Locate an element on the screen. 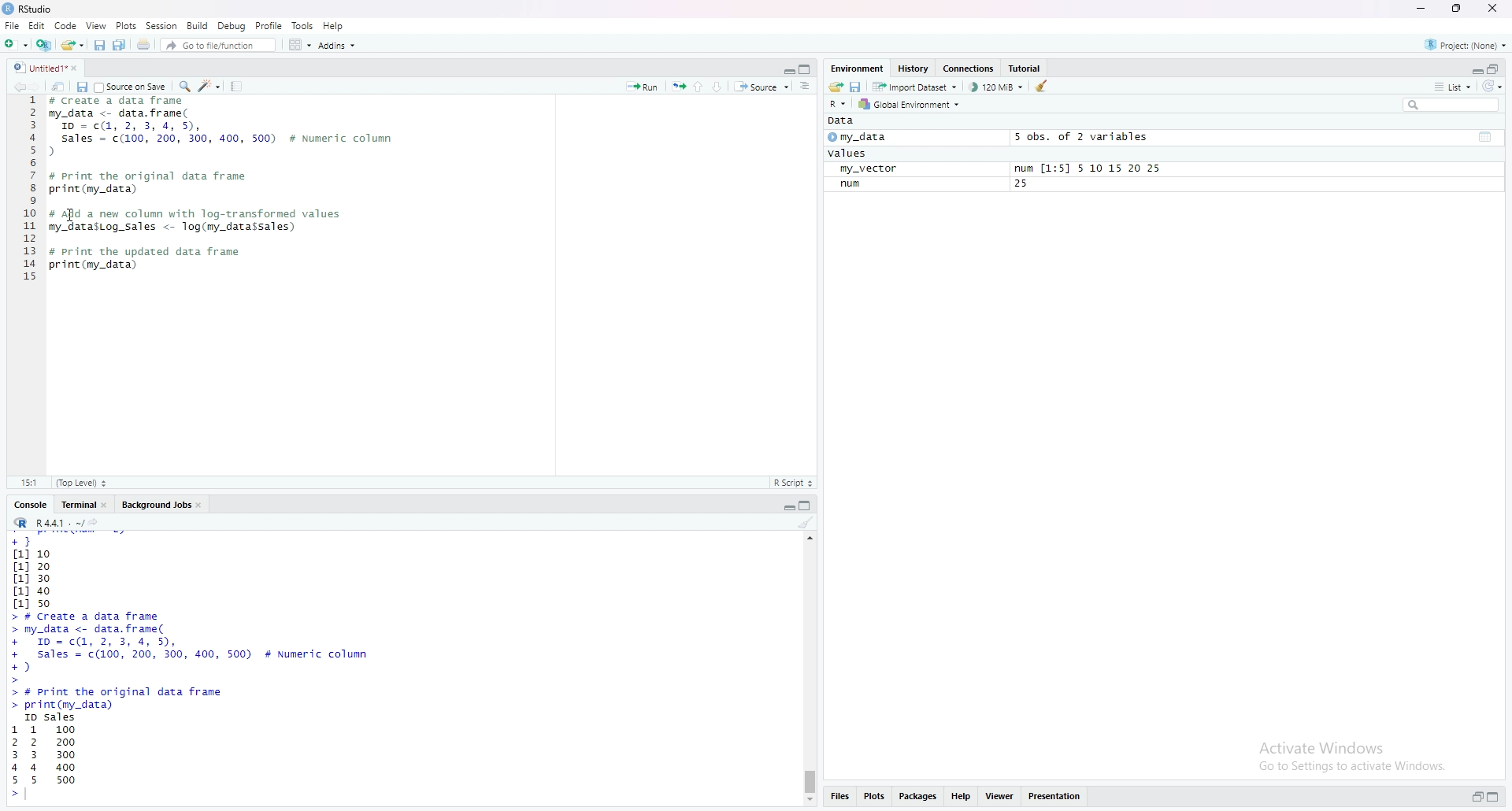  file is located at coordinates (13, 25).